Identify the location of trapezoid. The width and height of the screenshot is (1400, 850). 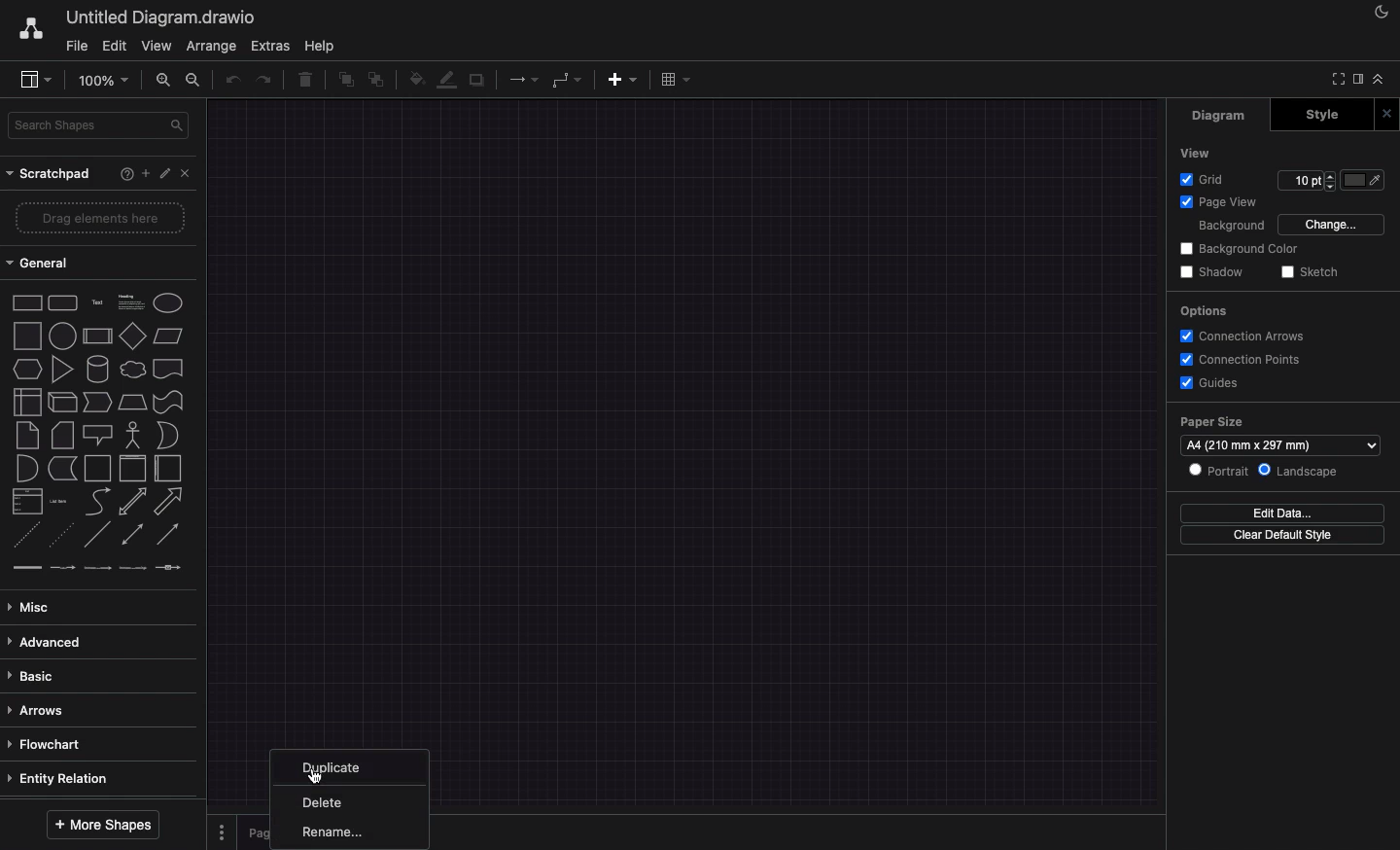
(132, 403).